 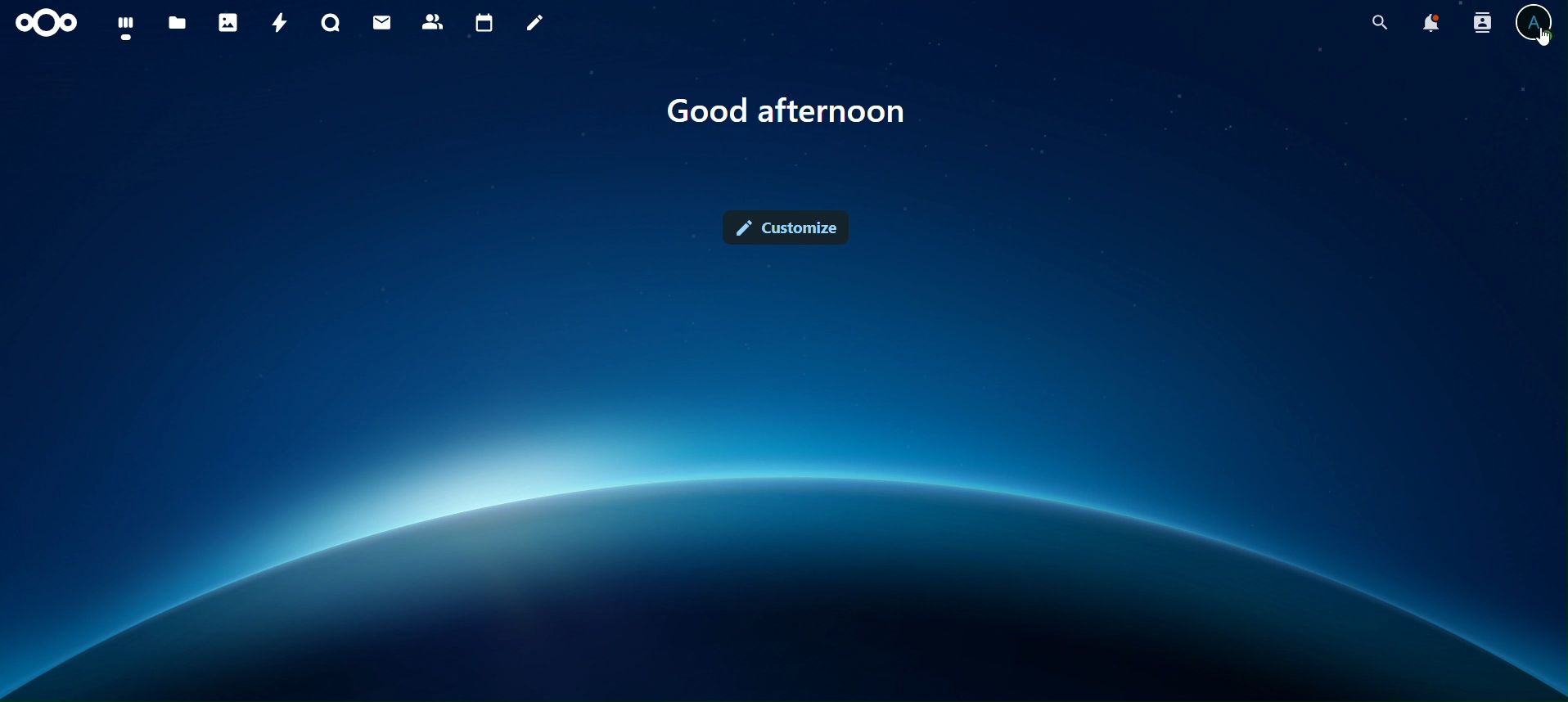 What do you see at coordinates (381, 22) in the screenshot?
I see `mail` at bounding box center [381, 22].